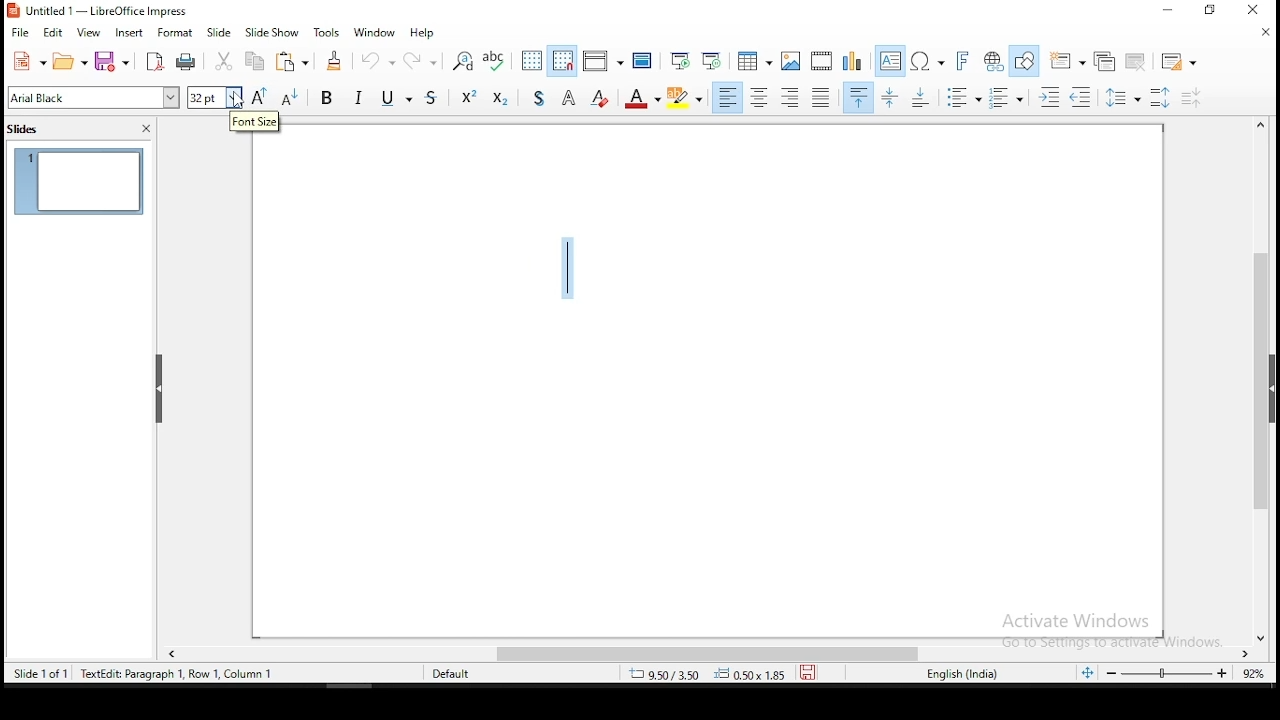 This screenshot has width=1280, height=720. Describe the element at coordinates (90, 34) in the screenshot. I see `view` at that location.